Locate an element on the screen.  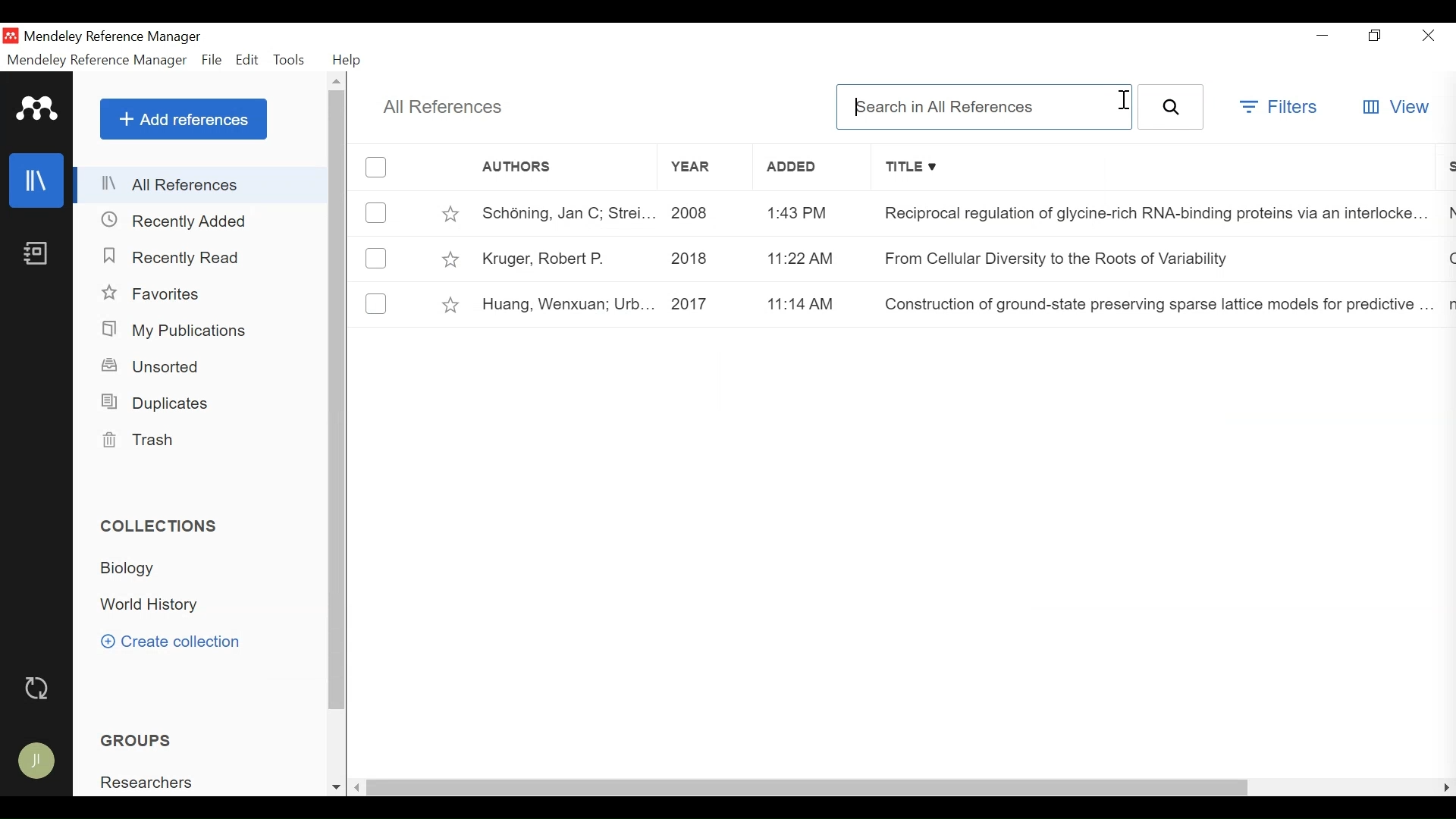
Scroll up is located at coordinates (338, 82).